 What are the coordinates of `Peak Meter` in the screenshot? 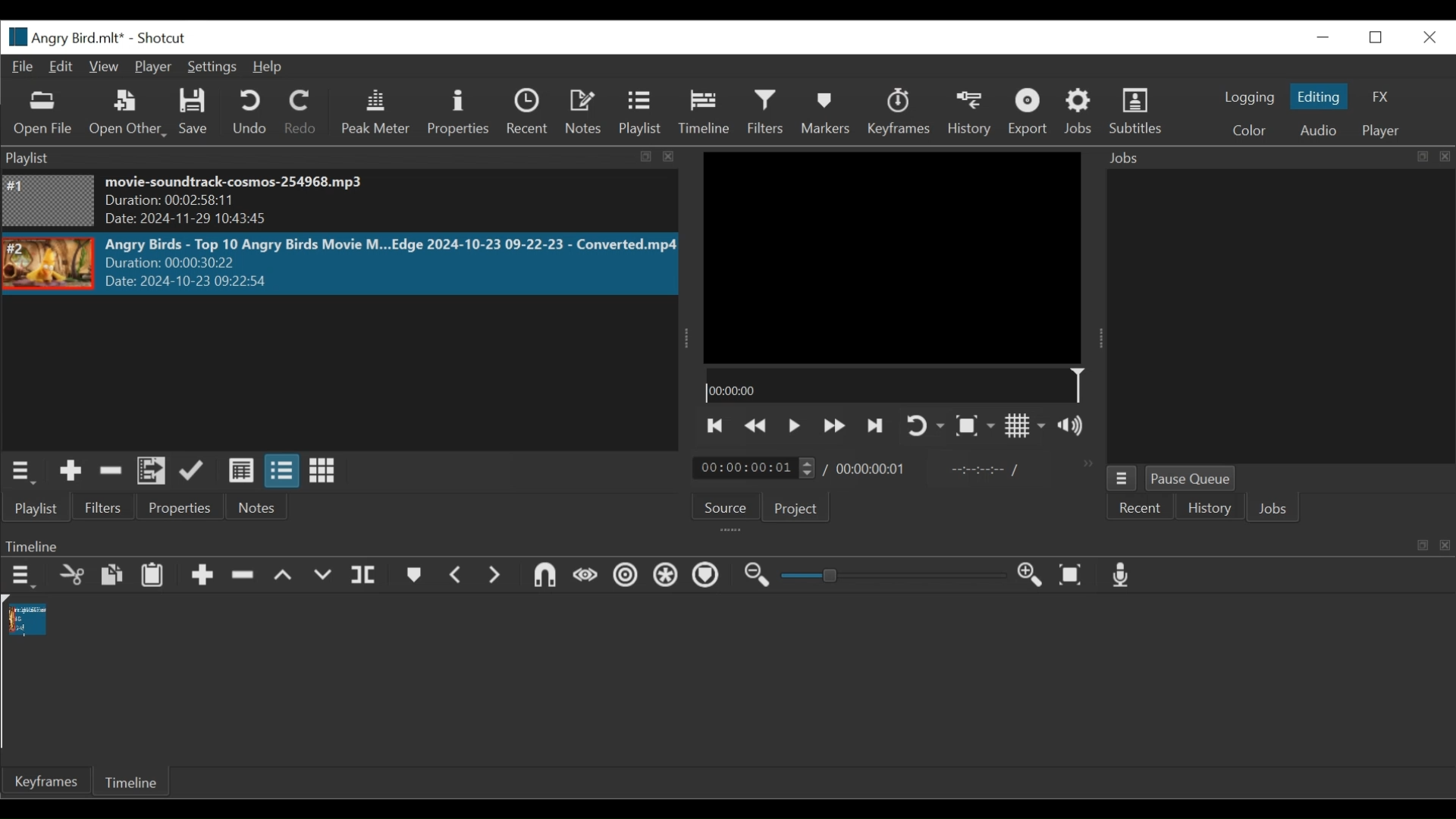 It's located at (375, 114).